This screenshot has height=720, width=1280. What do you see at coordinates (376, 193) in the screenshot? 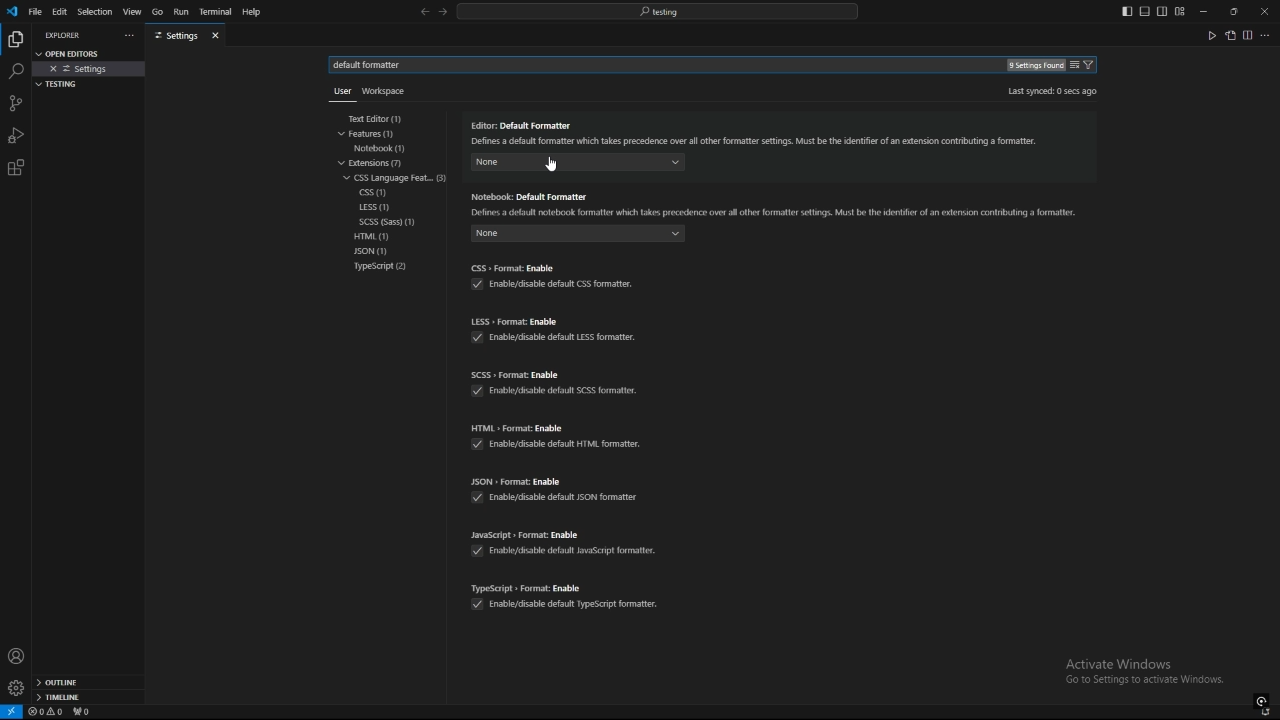
I see `css` at bounding box center [376, 193].